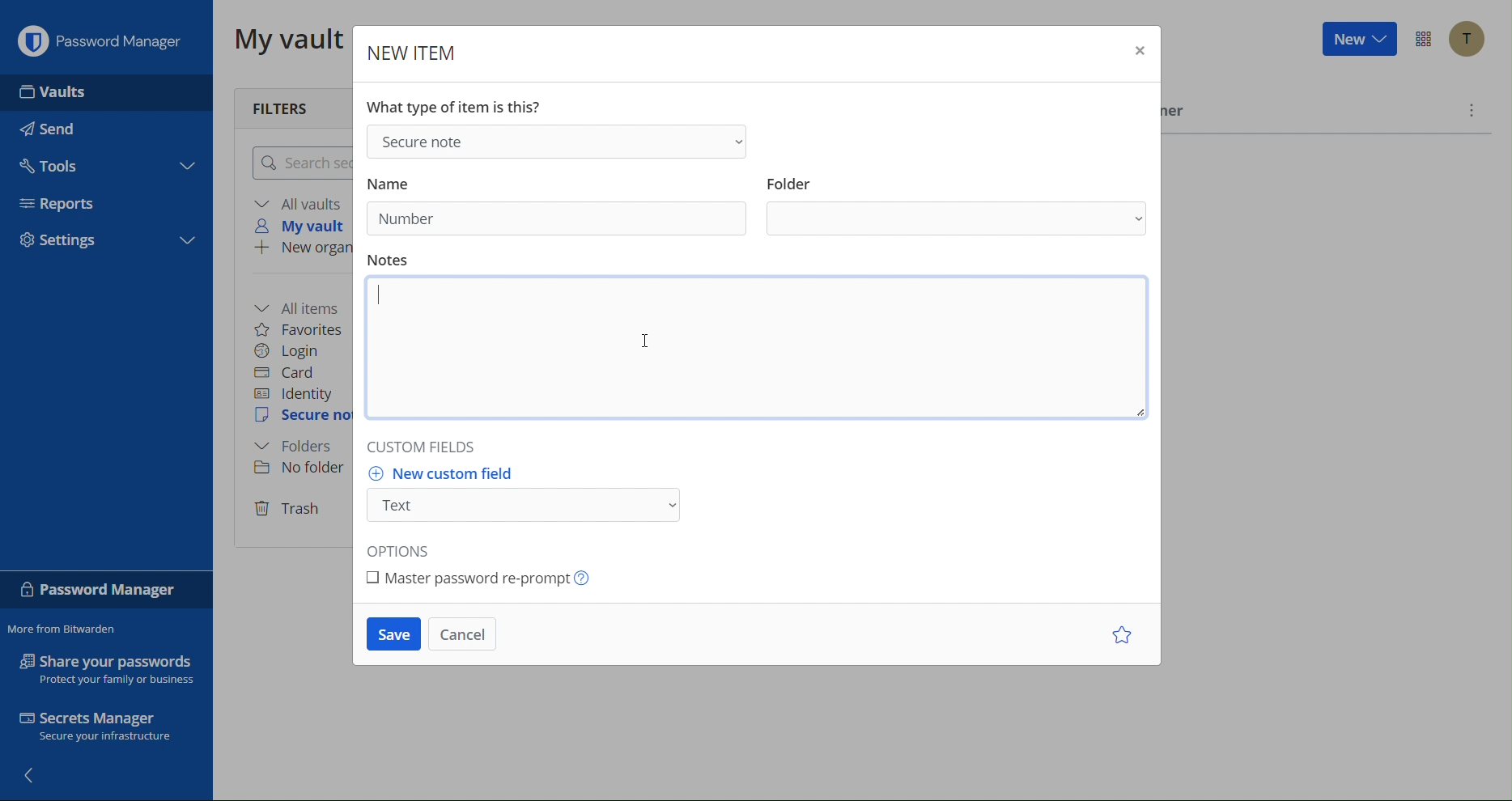 The height and width of the screenshot is (801, 1512). What do you see at coordinates (65, 239) in the screenshot?
I see `Settings` at bounding box center [65, 239].